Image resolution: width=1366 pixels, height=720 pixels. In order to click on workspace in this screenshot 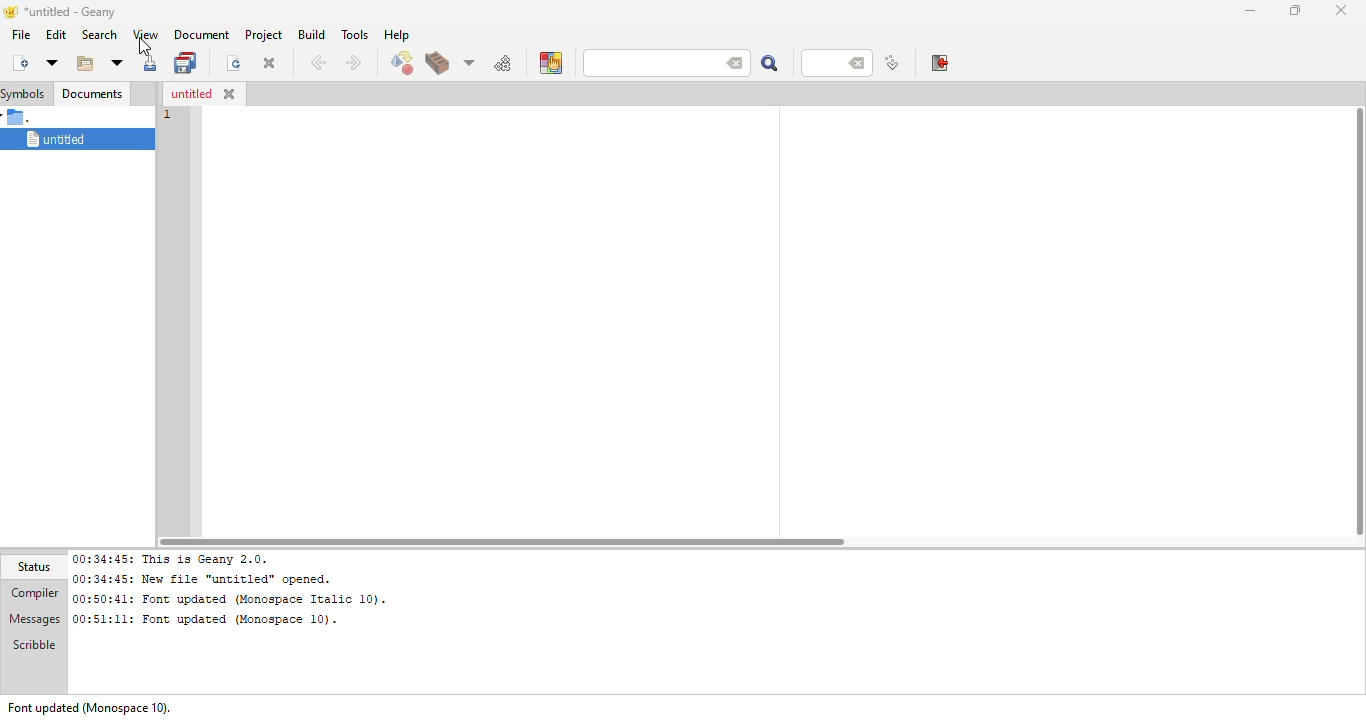, I will do `click(761, 316)`.